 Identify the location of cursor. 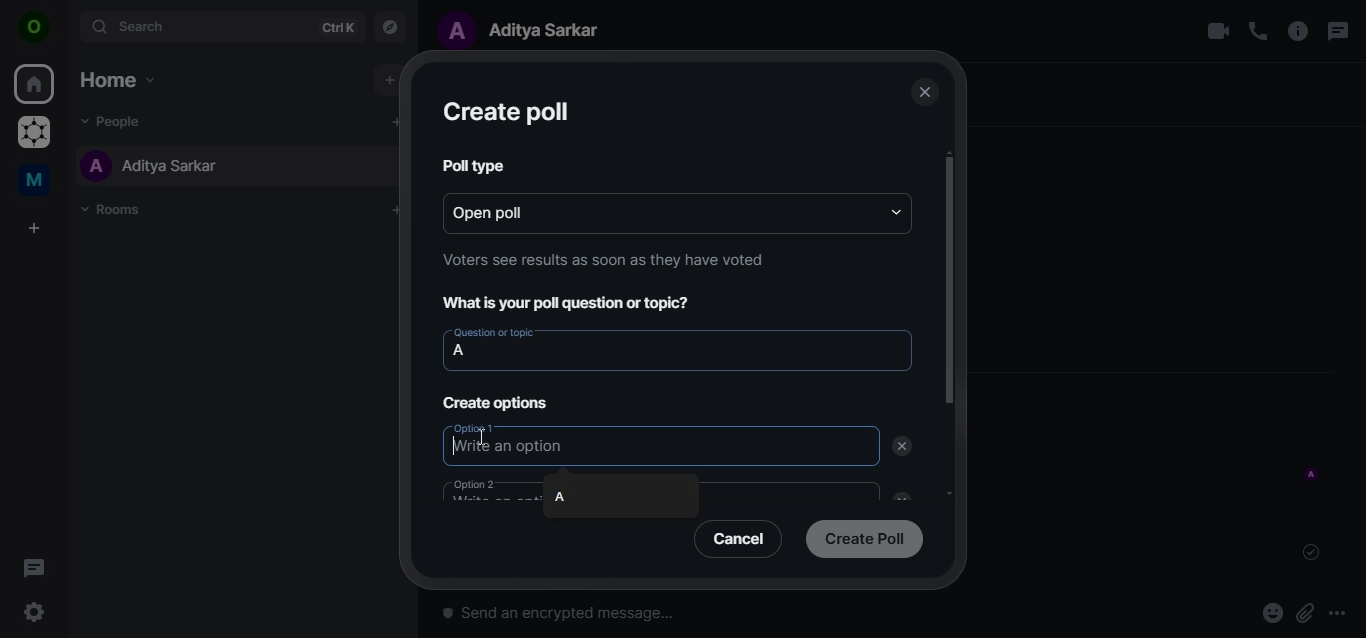
(485, 436).